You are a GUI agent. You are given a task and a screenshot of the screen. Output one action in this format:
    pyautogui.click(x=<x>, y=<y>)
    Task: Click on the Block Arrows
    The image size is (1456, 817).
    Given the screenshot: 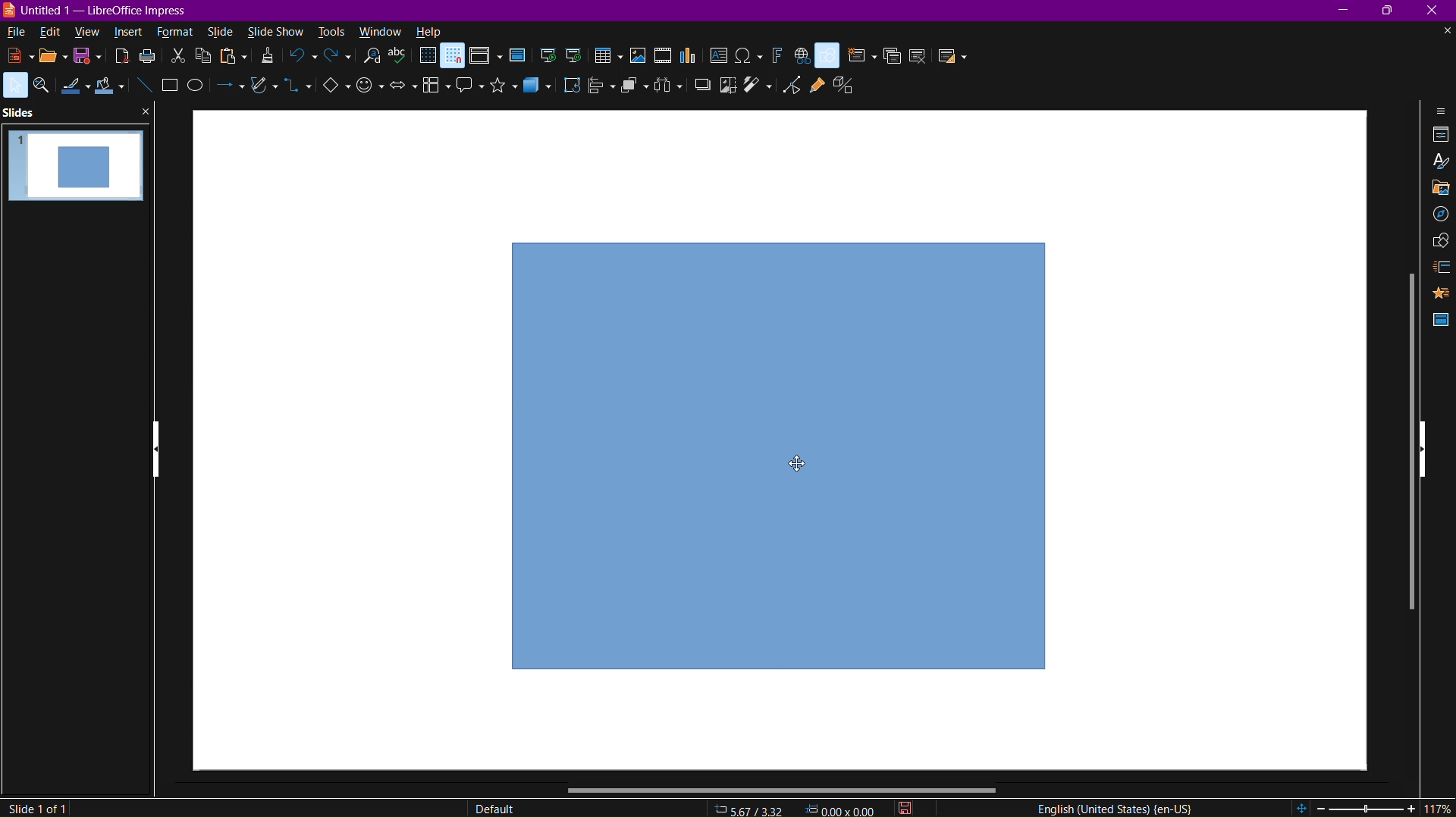 What is the action you would take?
    pyautogui.click(x=401, y=92)
    